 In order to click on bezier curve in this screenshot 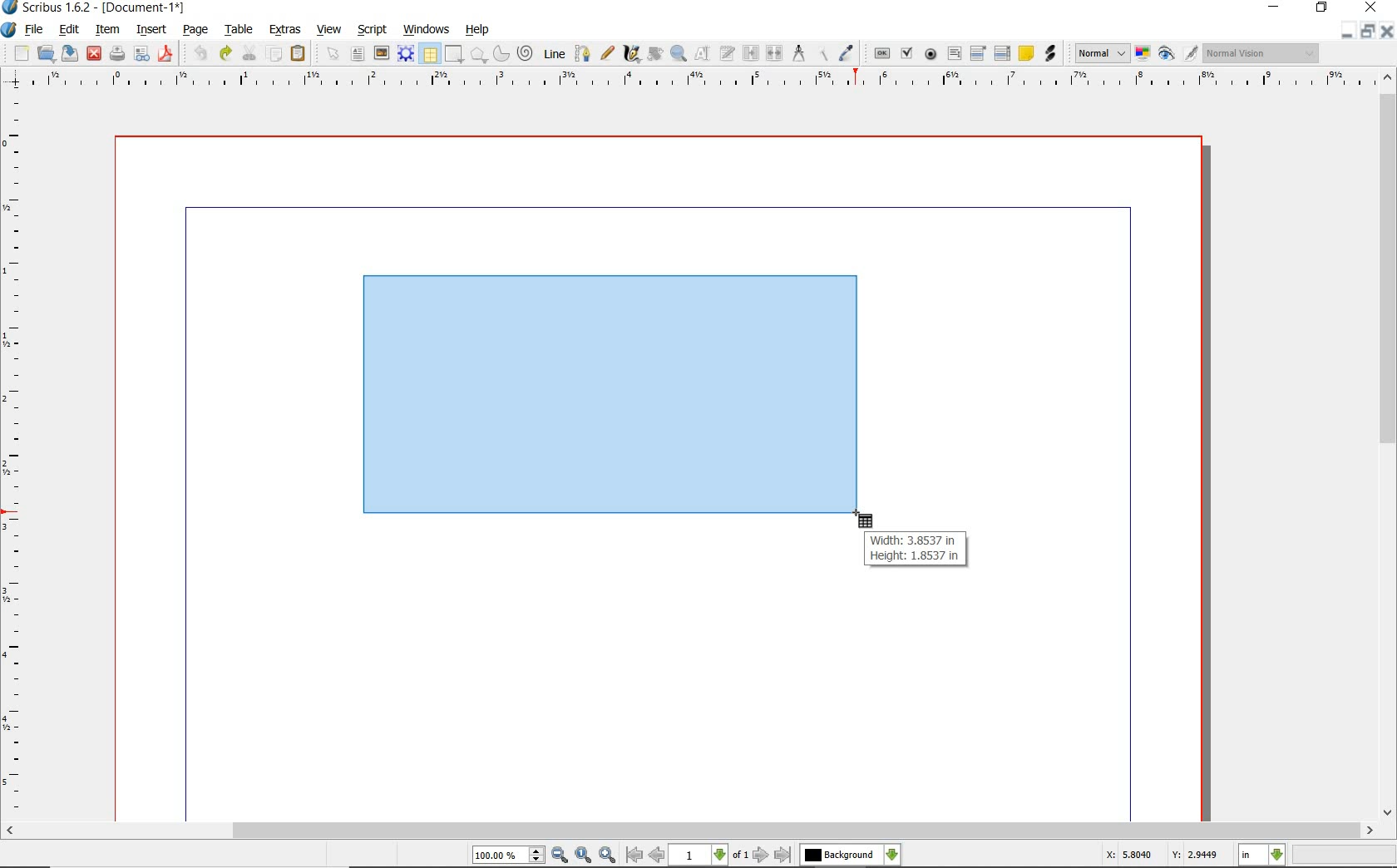, I will do `click(582, 53)`.